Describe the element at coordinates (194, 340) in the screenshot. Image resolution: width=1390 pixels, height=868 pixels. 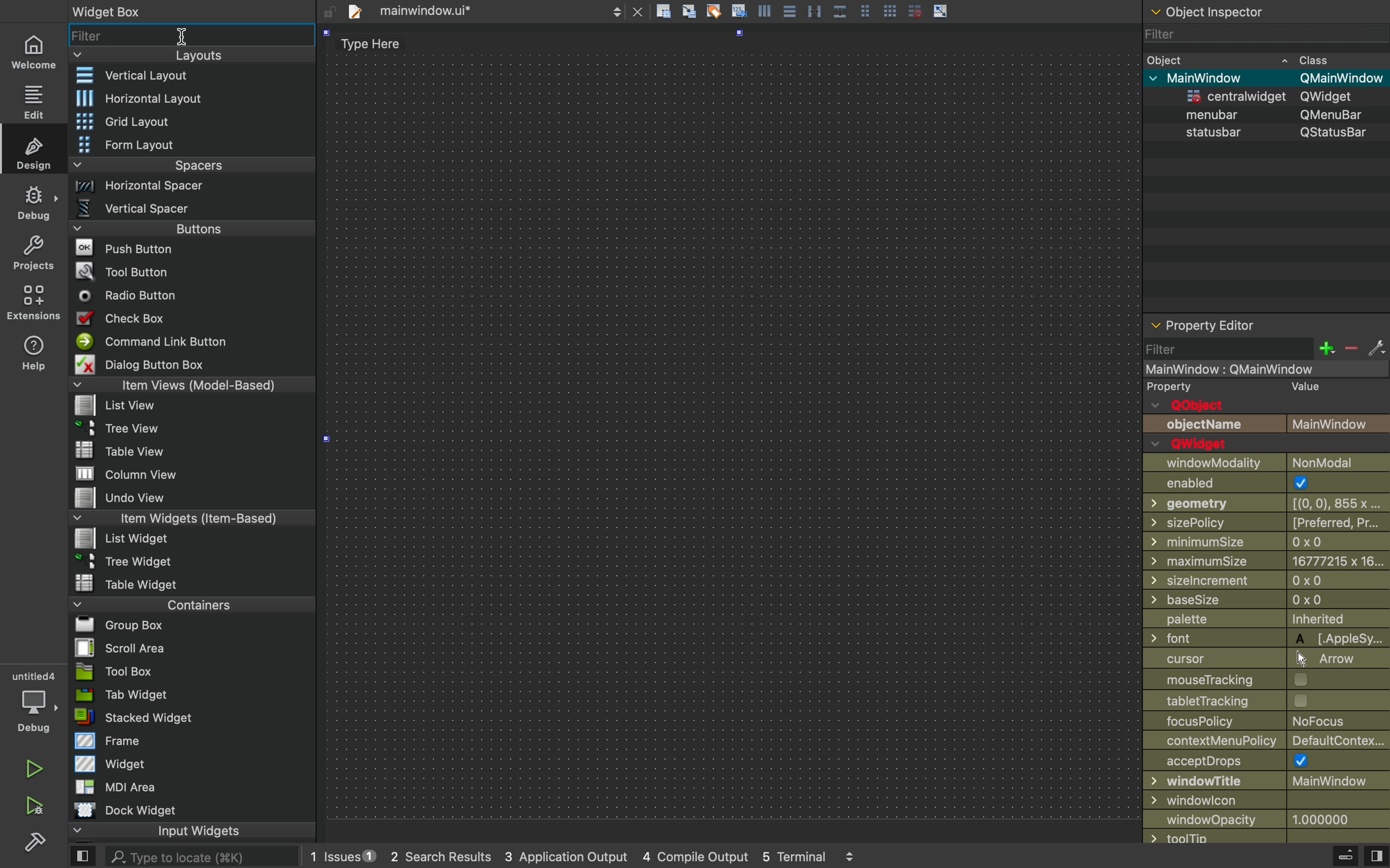
I see `command link button` at that location.